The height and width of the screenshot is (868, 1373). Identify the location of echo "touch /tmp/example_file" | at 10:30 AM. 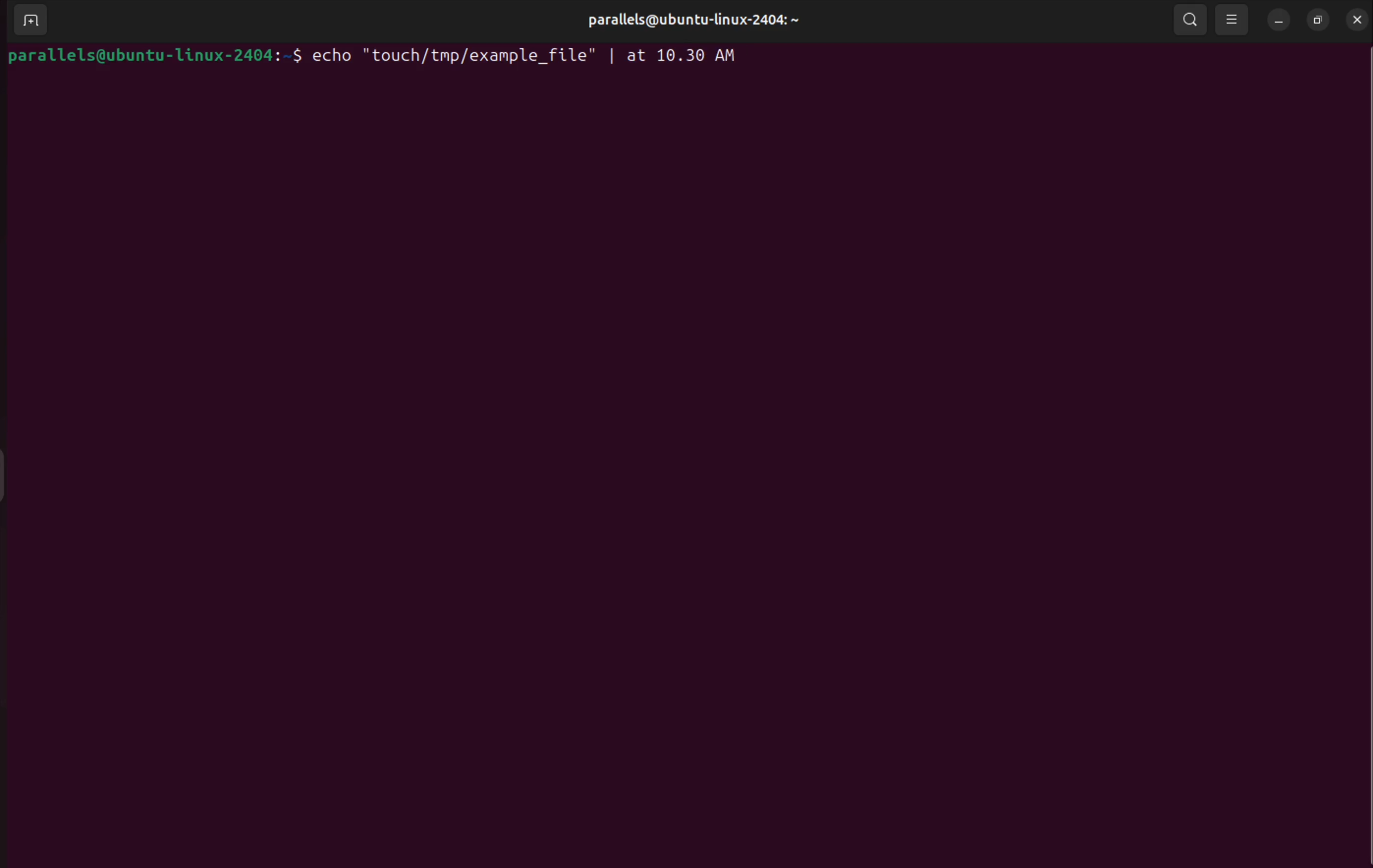
(535, 56).